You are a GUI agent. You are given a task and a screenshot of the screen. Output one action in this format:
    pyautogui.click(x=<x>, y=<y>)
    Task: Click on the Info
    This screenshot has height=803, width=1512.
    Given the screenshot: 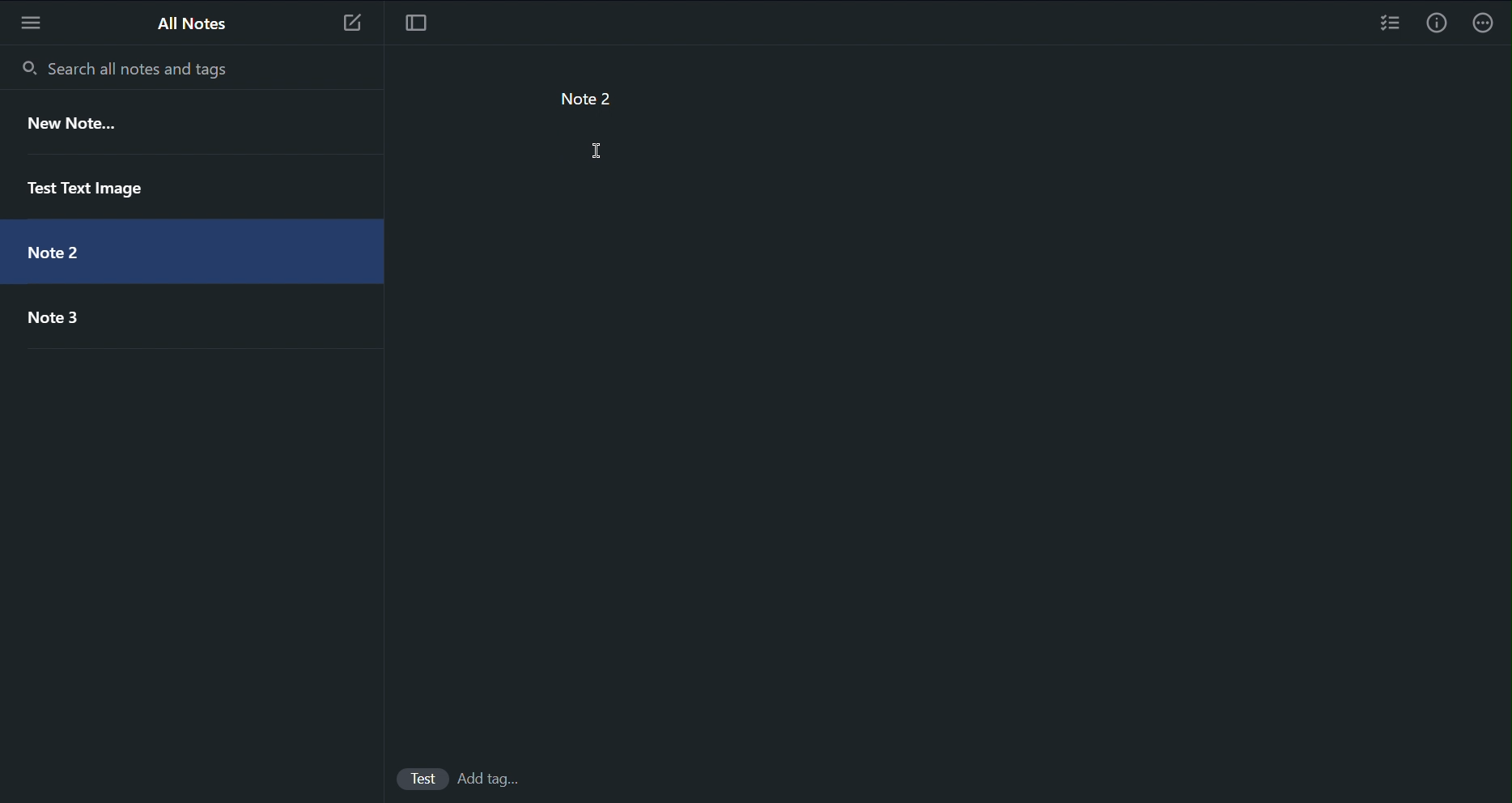 What is the action you would take?
    pyautogui.click(x=1437, y=22)
    